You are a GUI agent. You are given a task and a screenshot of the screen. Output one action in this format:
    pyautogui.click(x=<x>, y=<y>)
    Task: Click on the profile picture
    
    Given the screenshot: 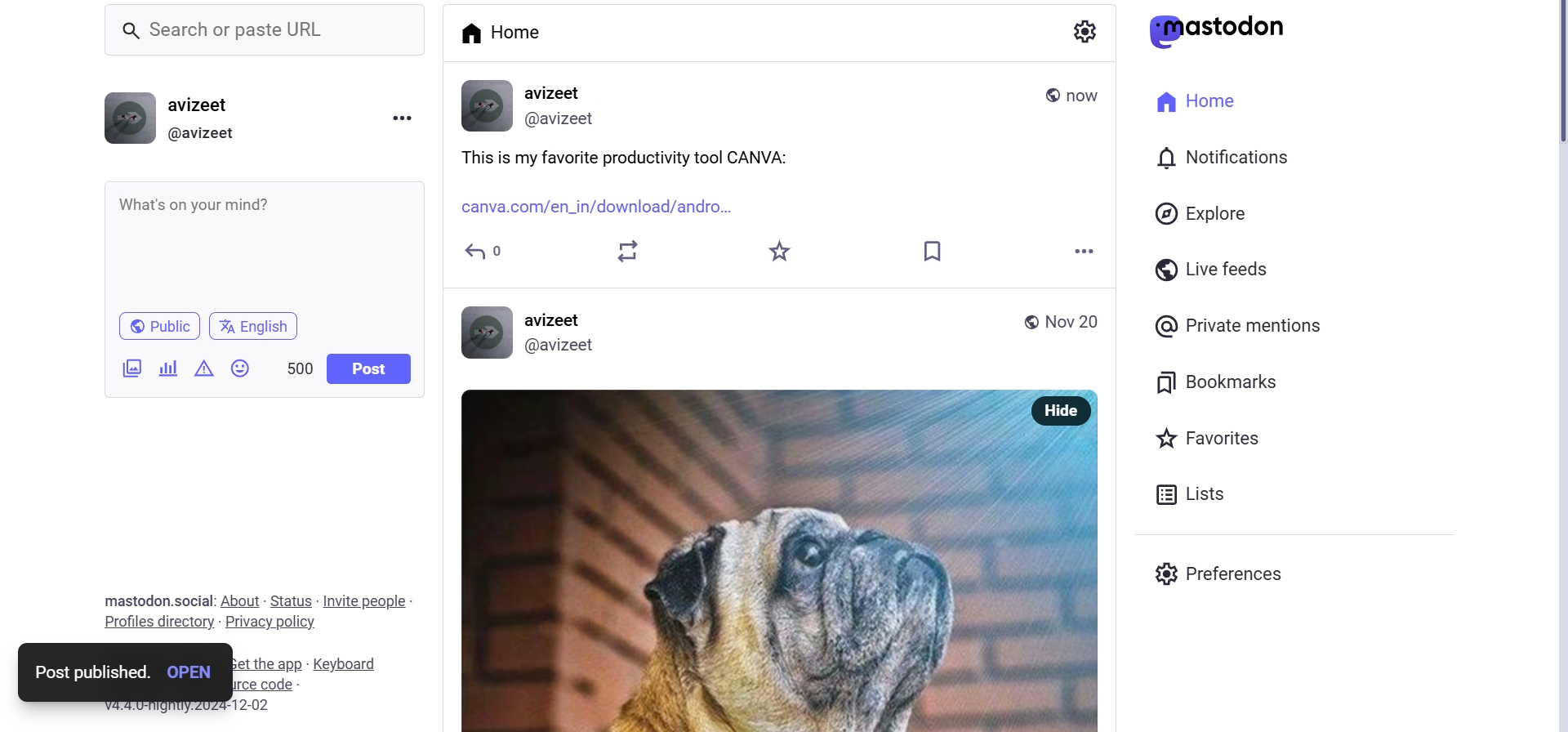 What is the action you would take?
    pyautogui.click(x=482, y=334)
    